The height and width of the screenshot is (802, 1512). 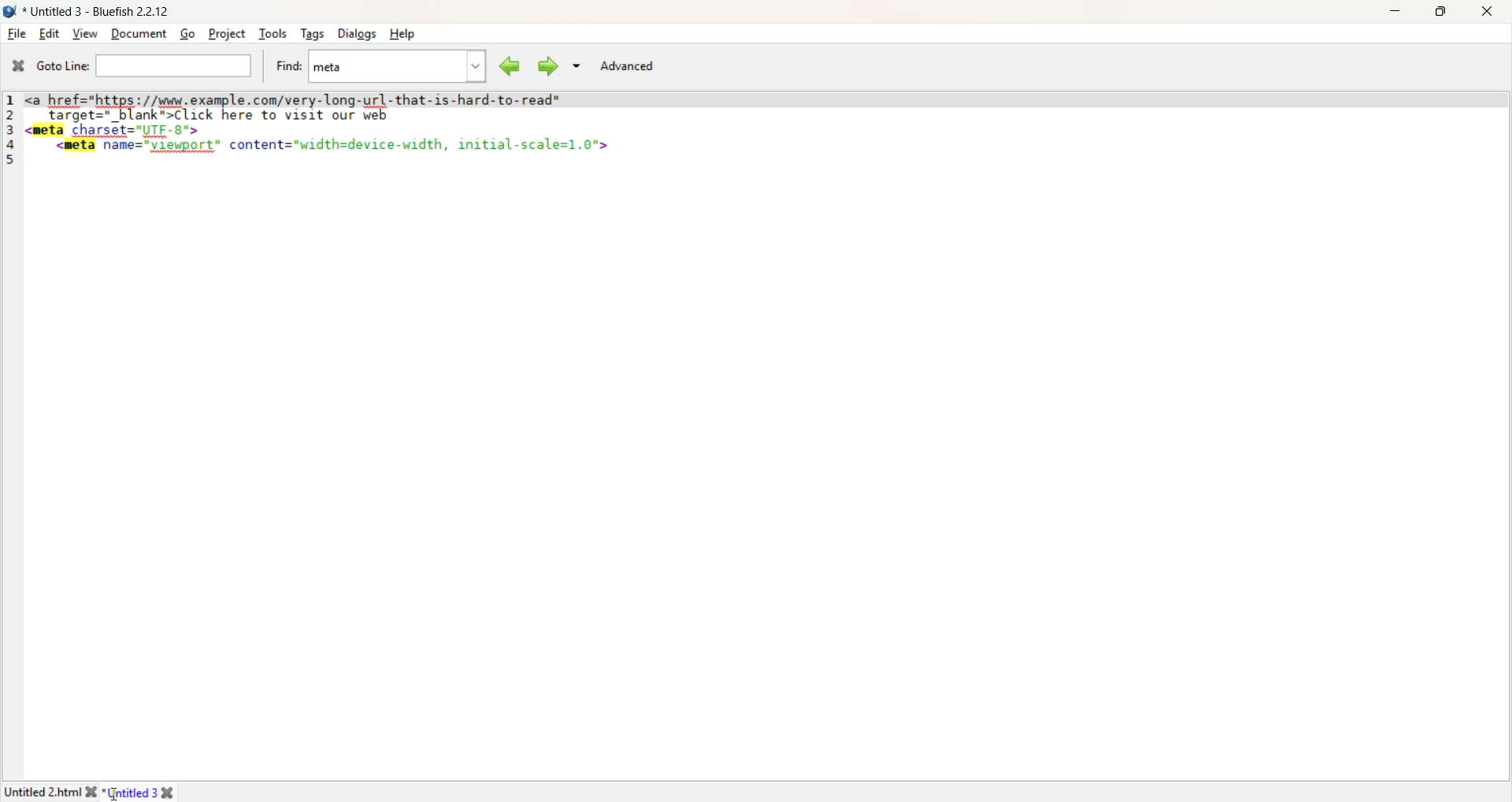 I want to click on Line Numbers, so click(x=13, y=133).